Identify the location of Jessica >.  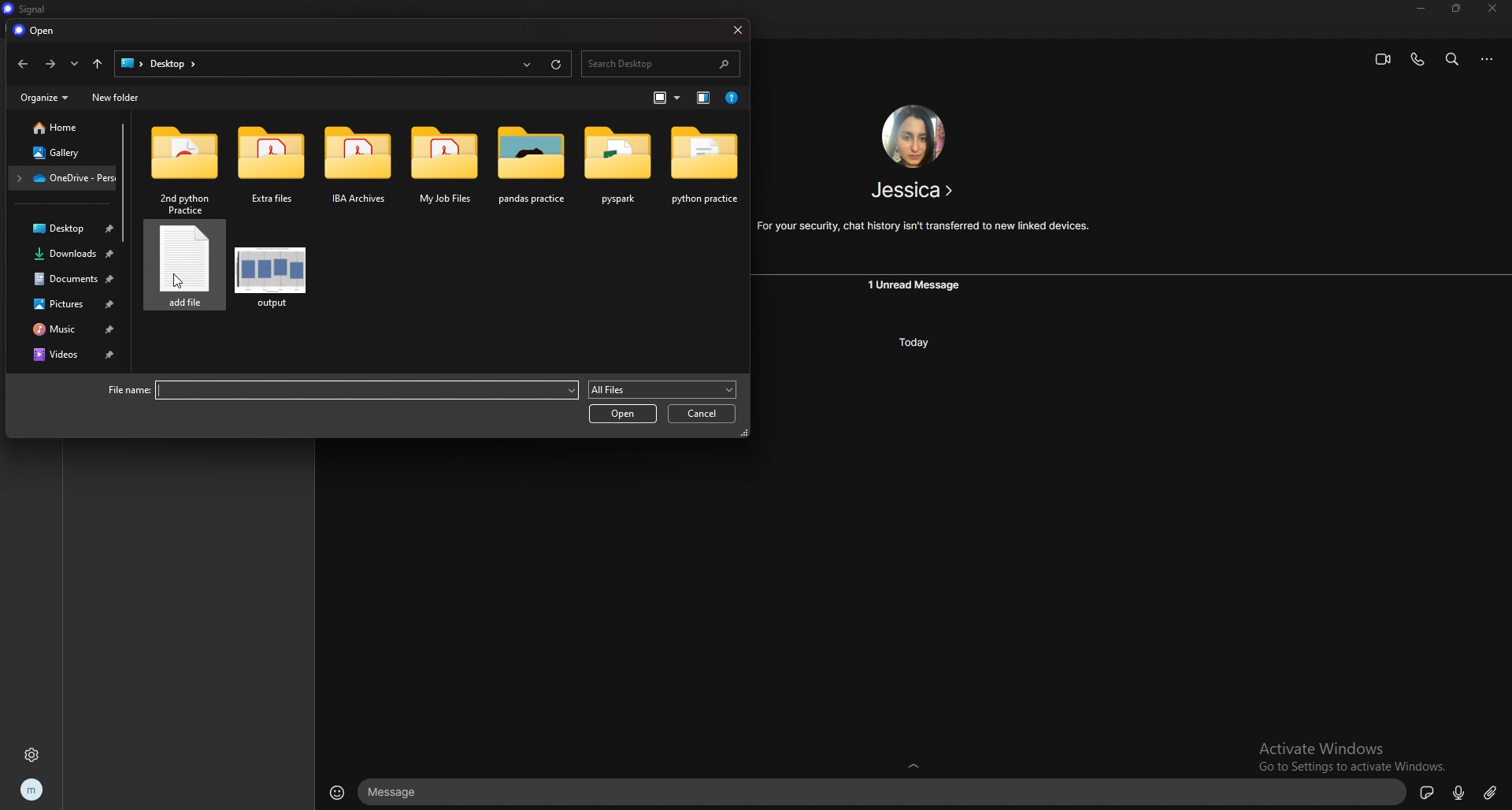
(913, 191).